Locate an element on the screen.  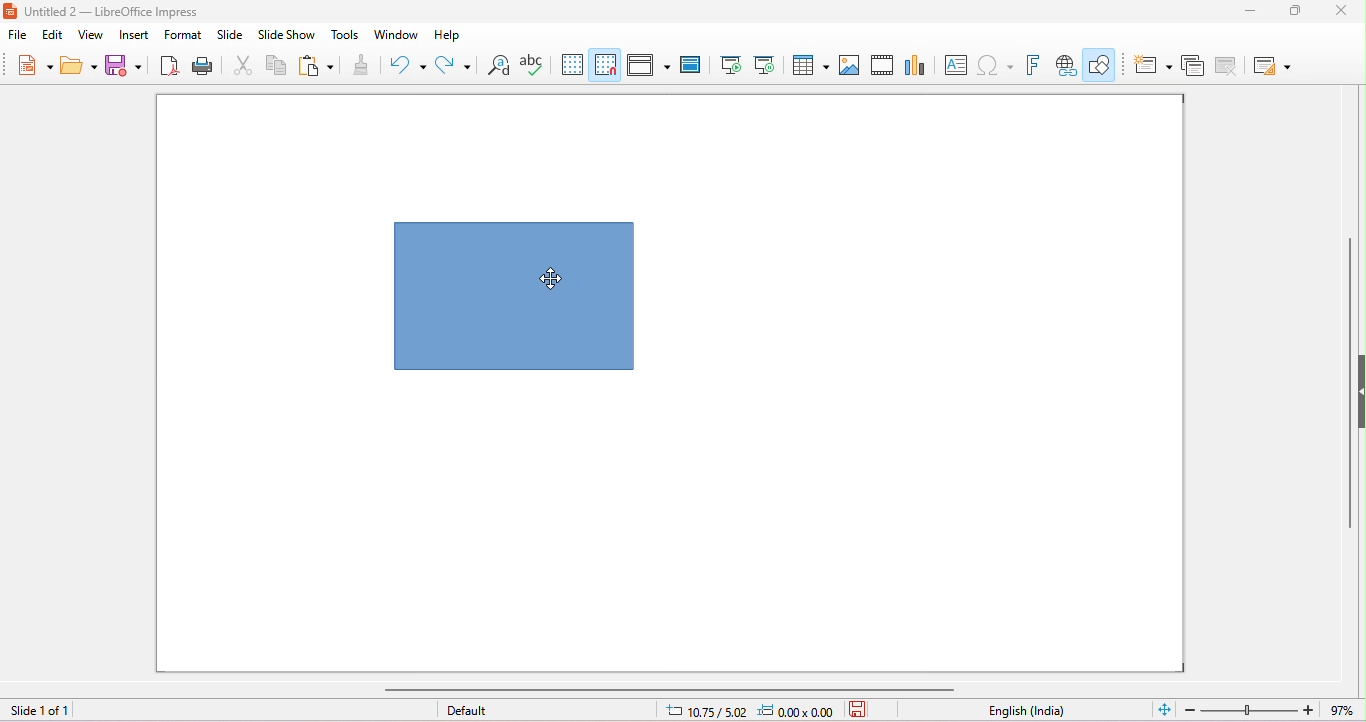
undo is located at coordinates (406, 65).